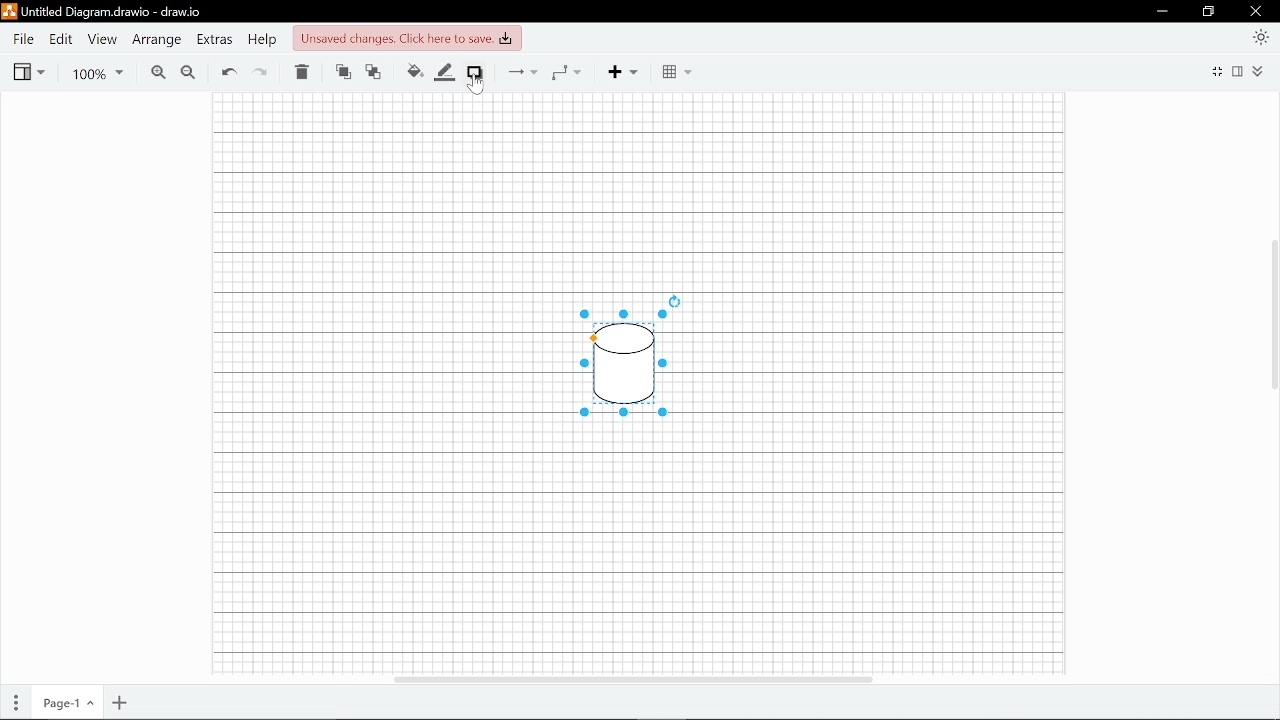 The image size is (1280, 720). I want to click on Cursor, so click(477, 82).